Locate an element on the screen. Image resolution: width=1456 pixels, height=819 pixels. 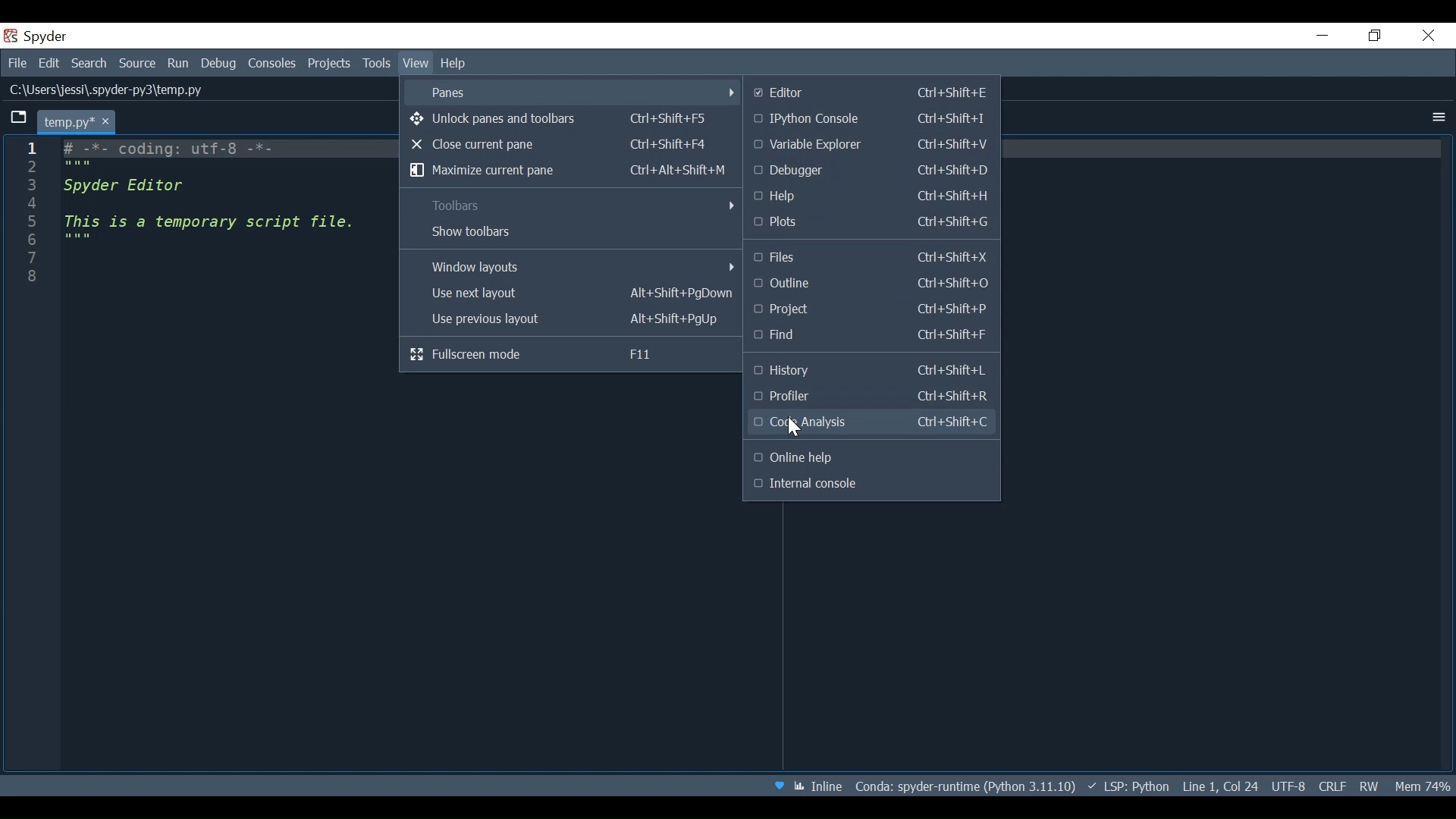
Outline is located at coordinates (873, 283).